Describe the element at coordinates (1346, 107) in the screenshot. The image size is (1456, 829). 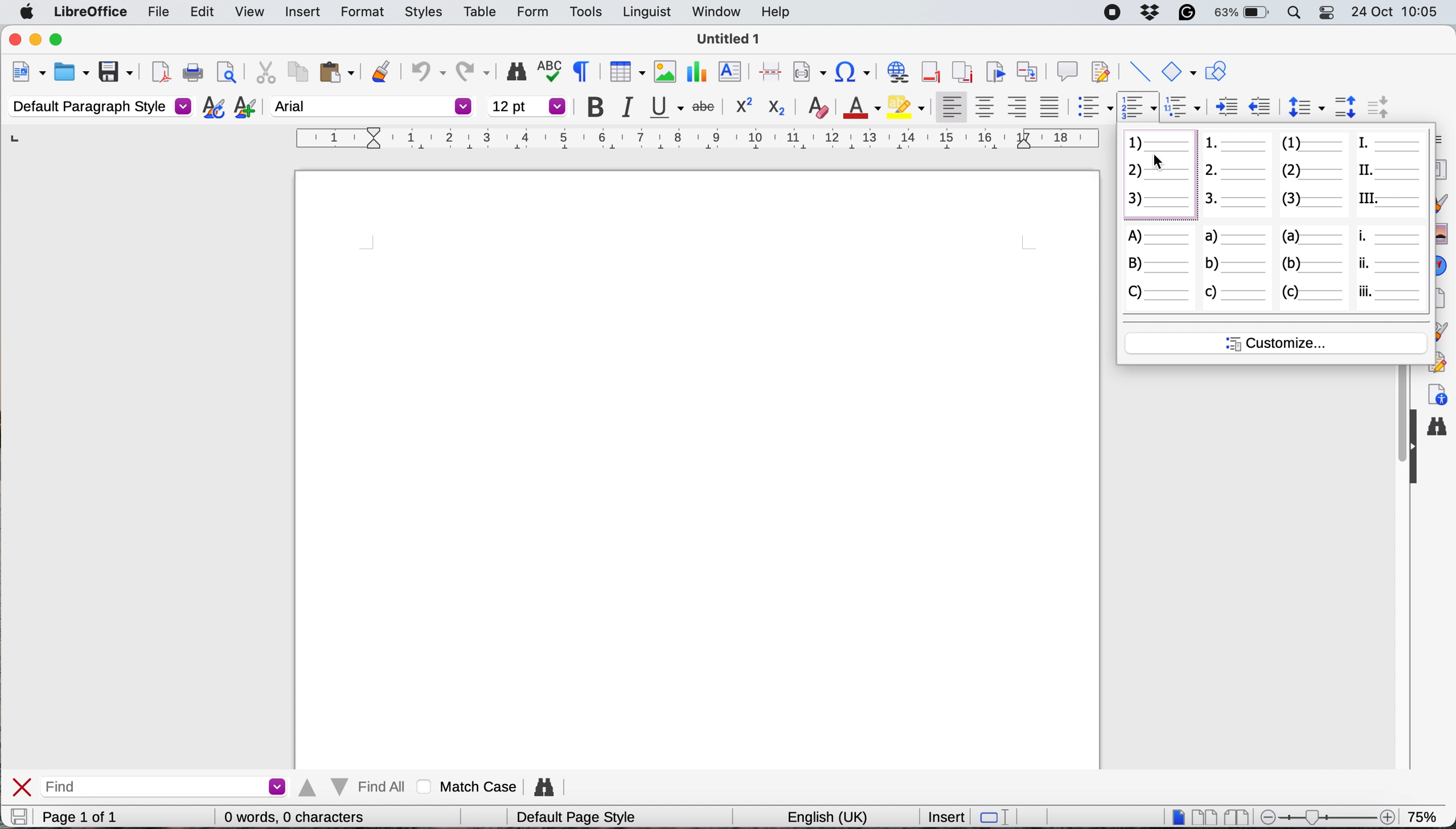
I see `increase paragraph spacing` at that location.